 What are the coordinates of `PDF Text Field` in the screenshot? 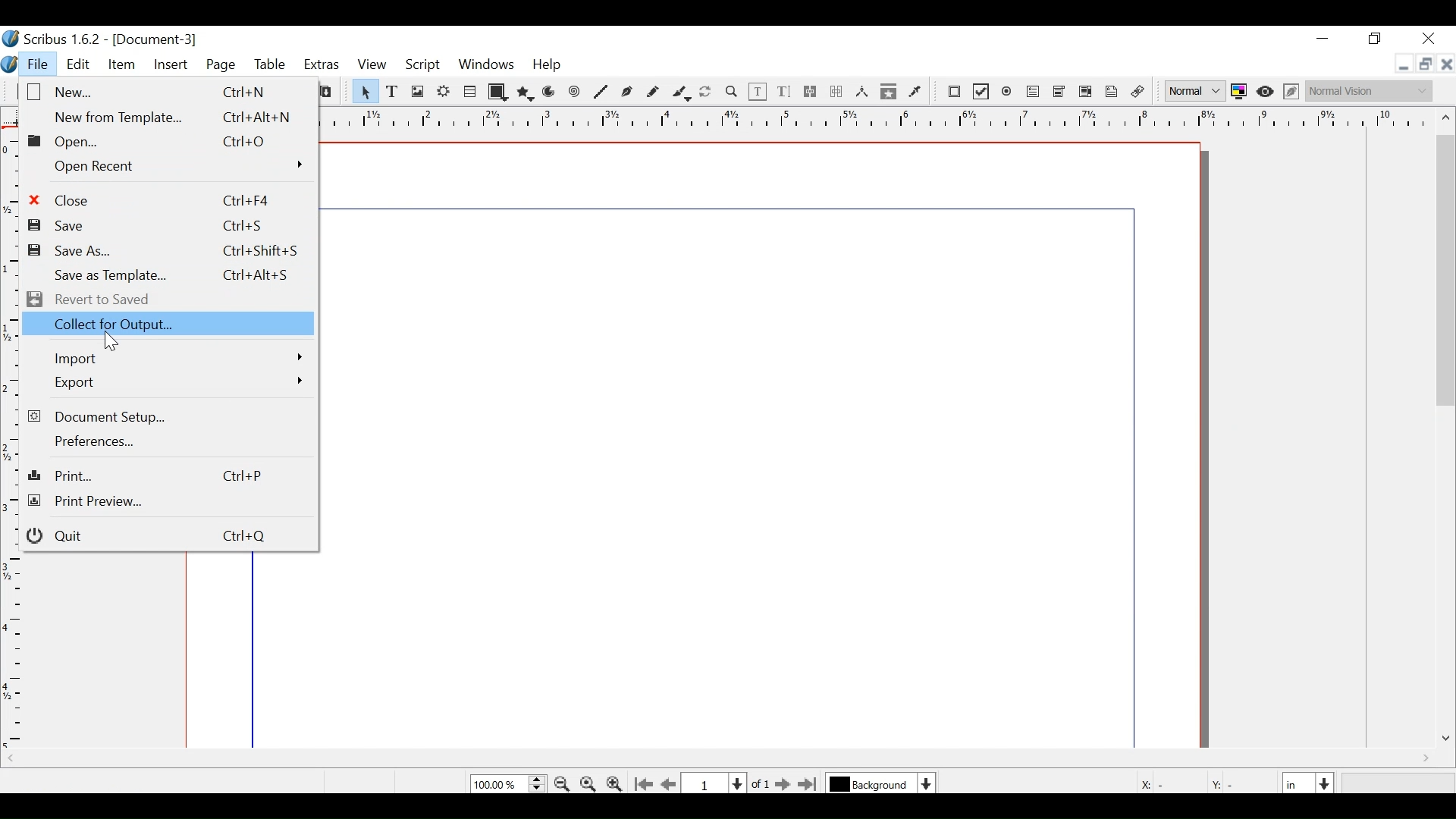 It's located at (1034, 93).